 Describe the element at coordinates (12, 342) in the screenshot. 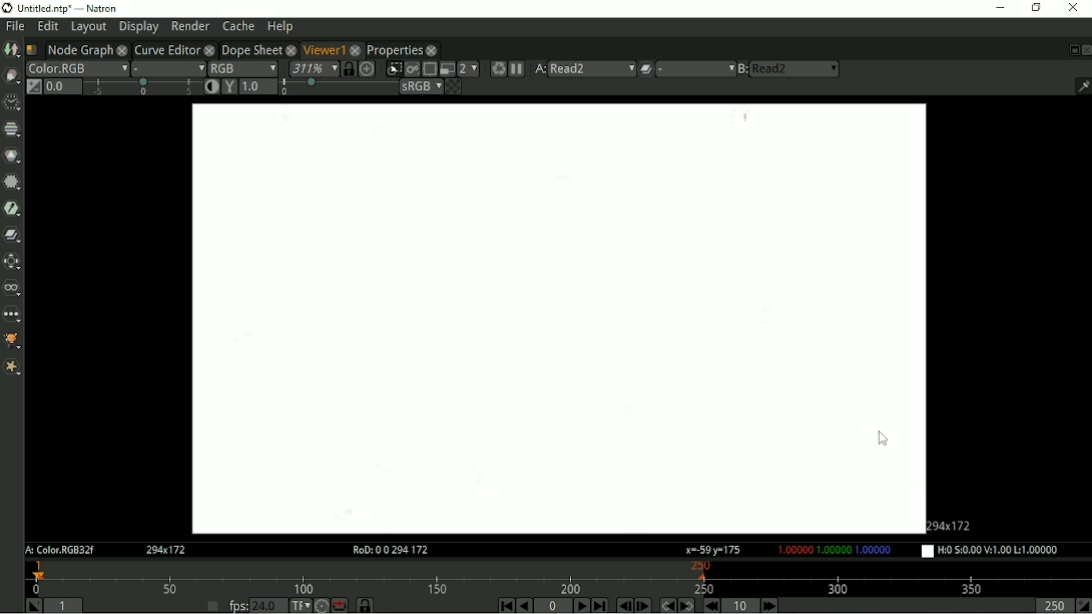

I see `GMIC` at that location.